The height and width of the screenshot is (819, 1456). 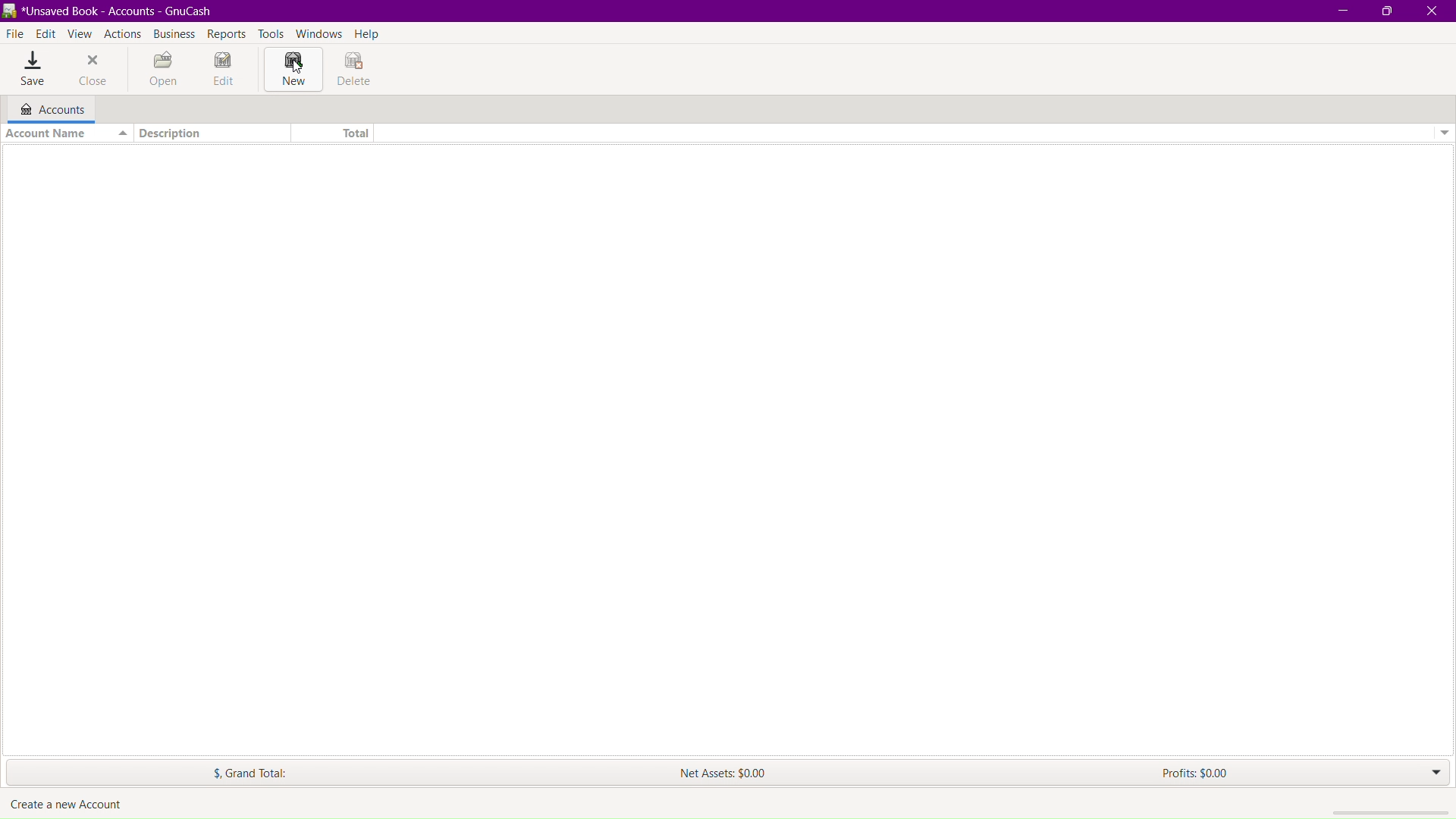 What do you see at coordinates (231, 773) in the screenshot?
I see `$. Grand Total` at bounding box center [231, 773].